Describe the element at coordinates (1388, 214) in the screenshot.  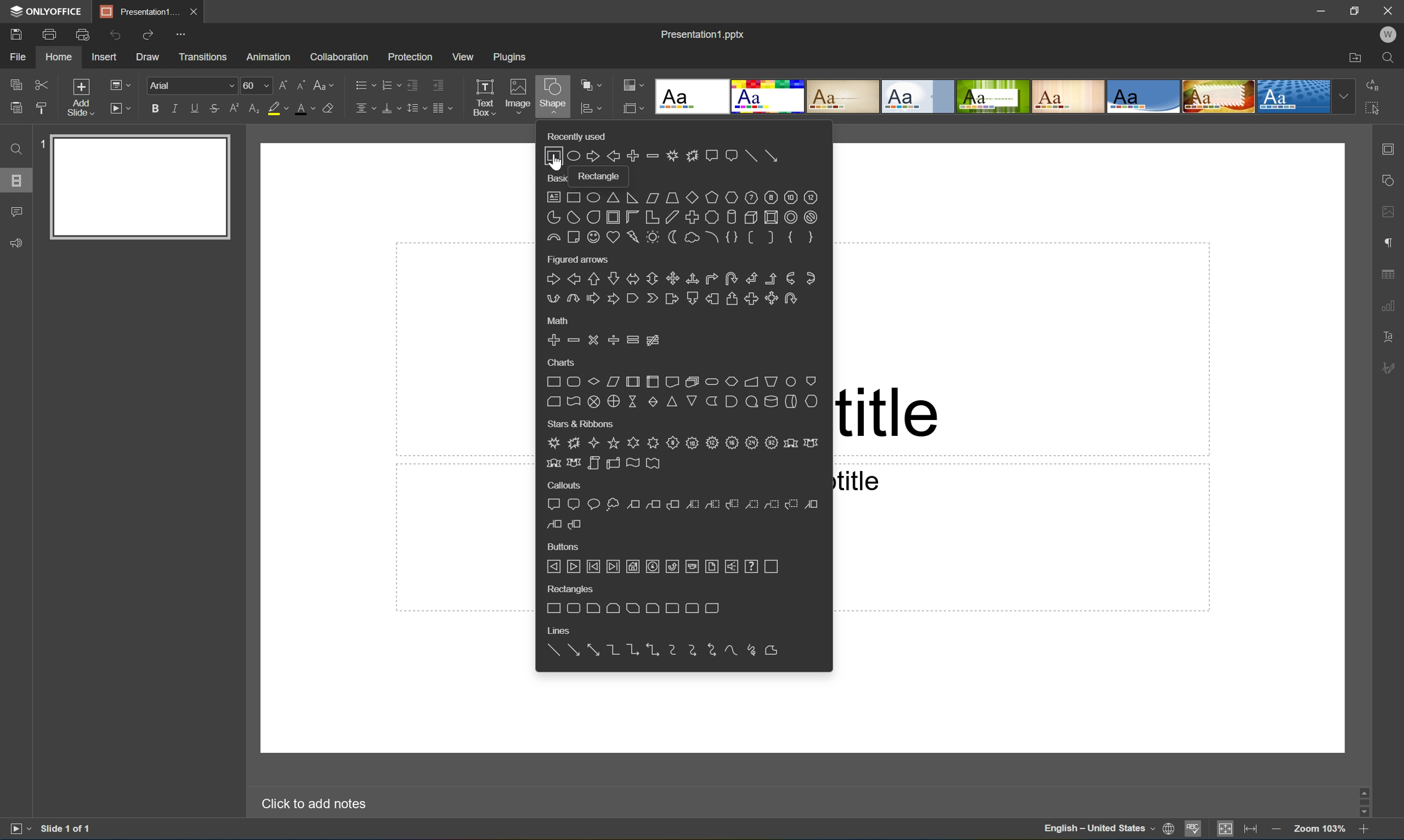
I see `image settings` at that location.